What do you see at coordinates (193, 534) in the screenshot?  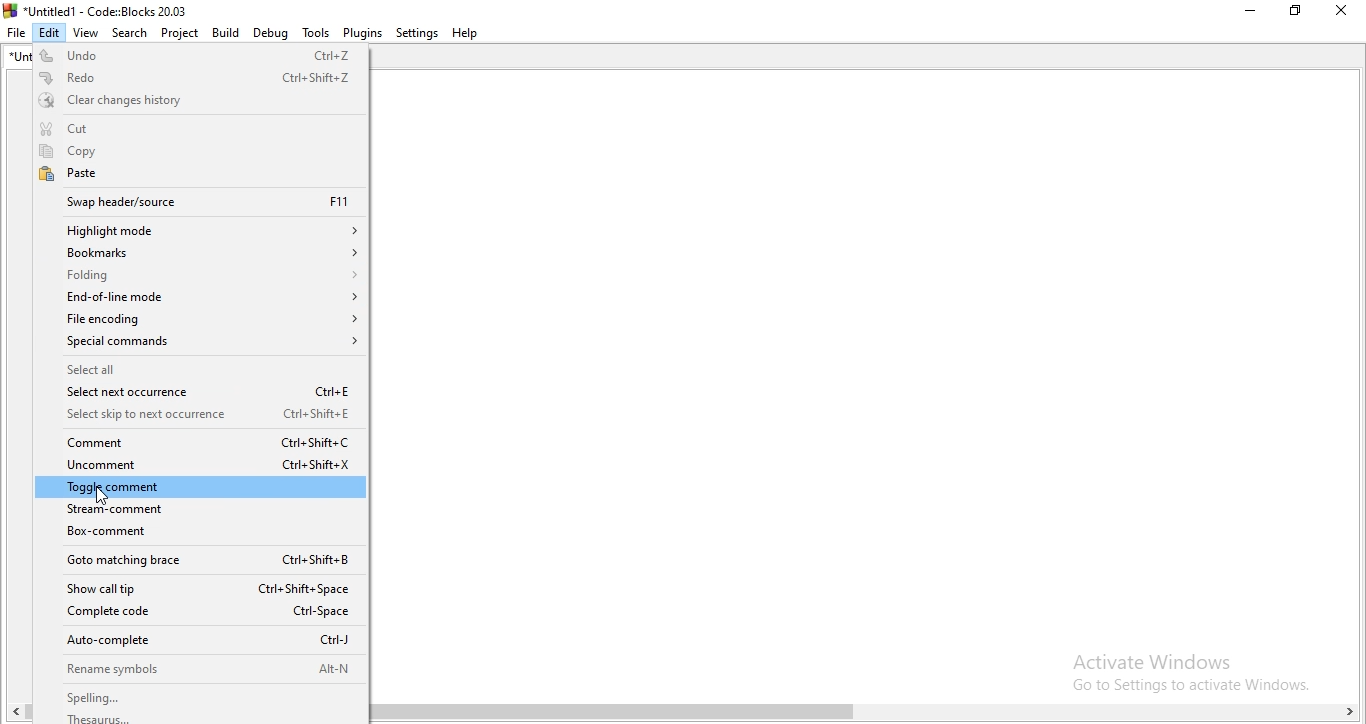 I see `Box-comment` at bounding box center [193, 534].